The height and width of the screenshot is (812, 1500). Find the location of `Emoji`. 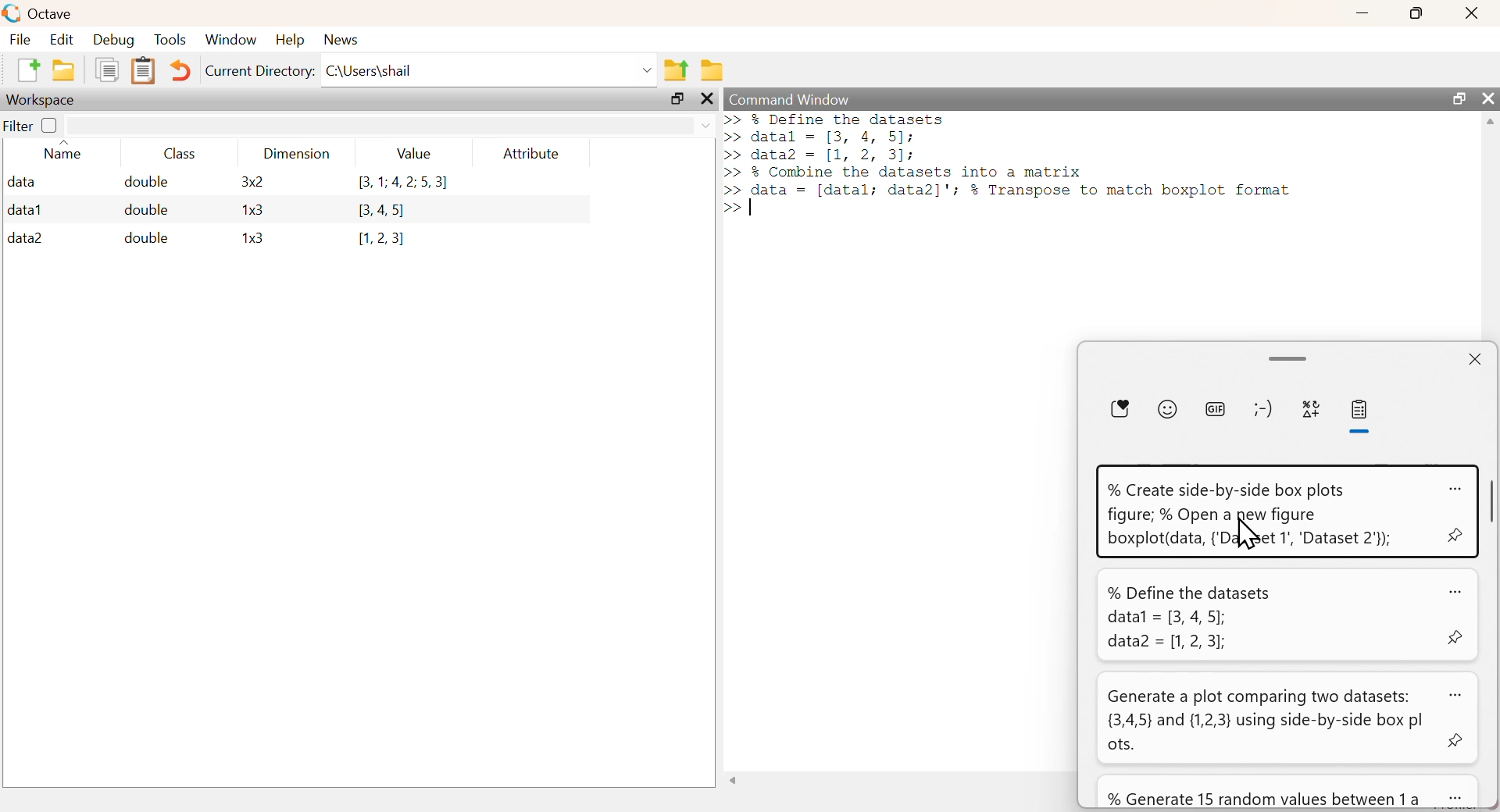

Emoji is located at coordinates (1169, 408).